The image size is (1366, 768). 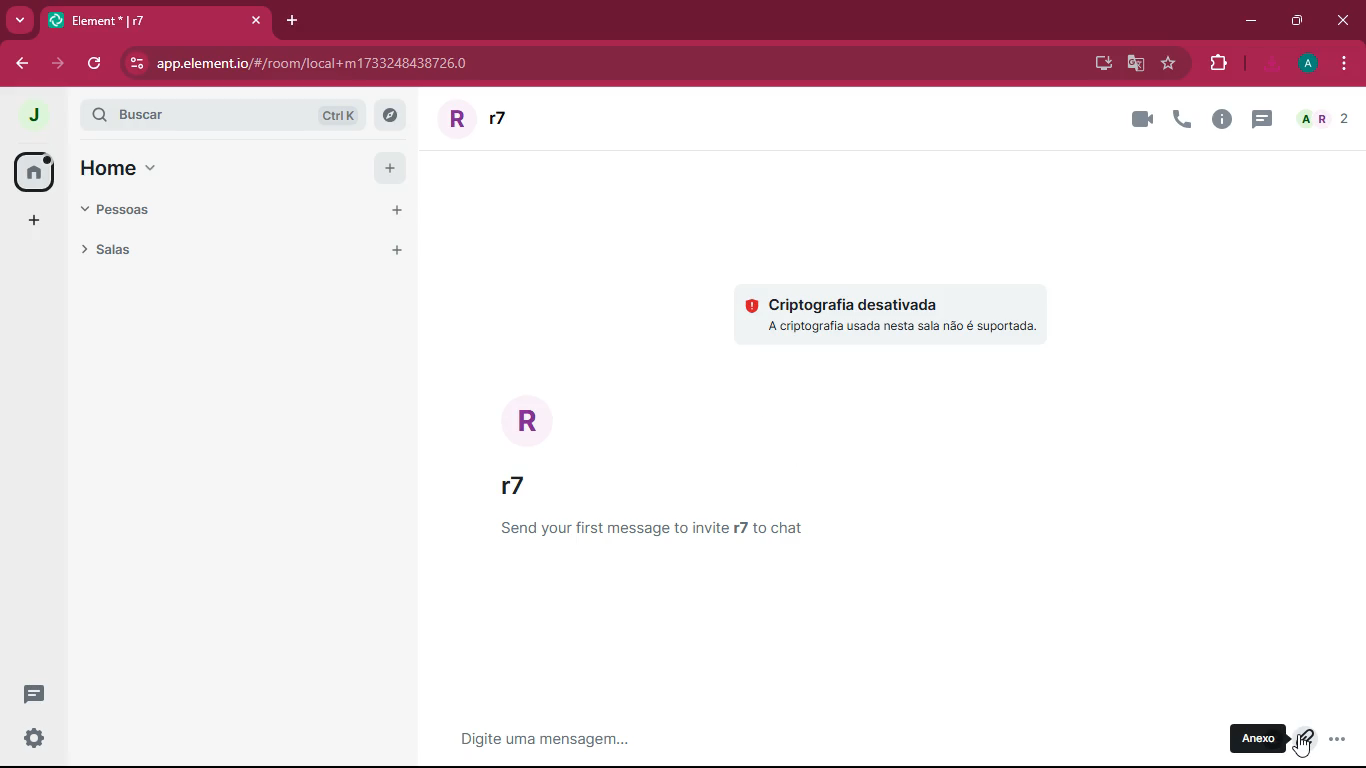 I want to click on videocall, so click(x=1142, y=118).